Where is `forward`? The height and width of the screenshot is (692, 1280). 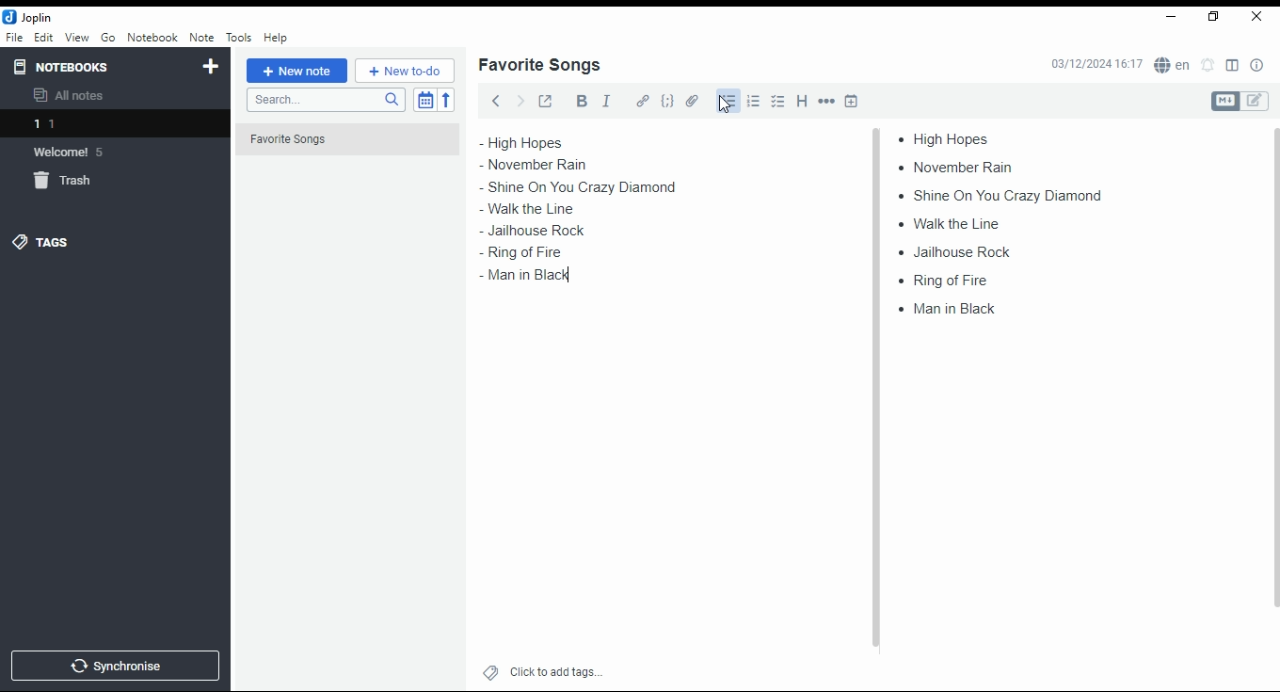 forward is located at coordinates (520, 99).